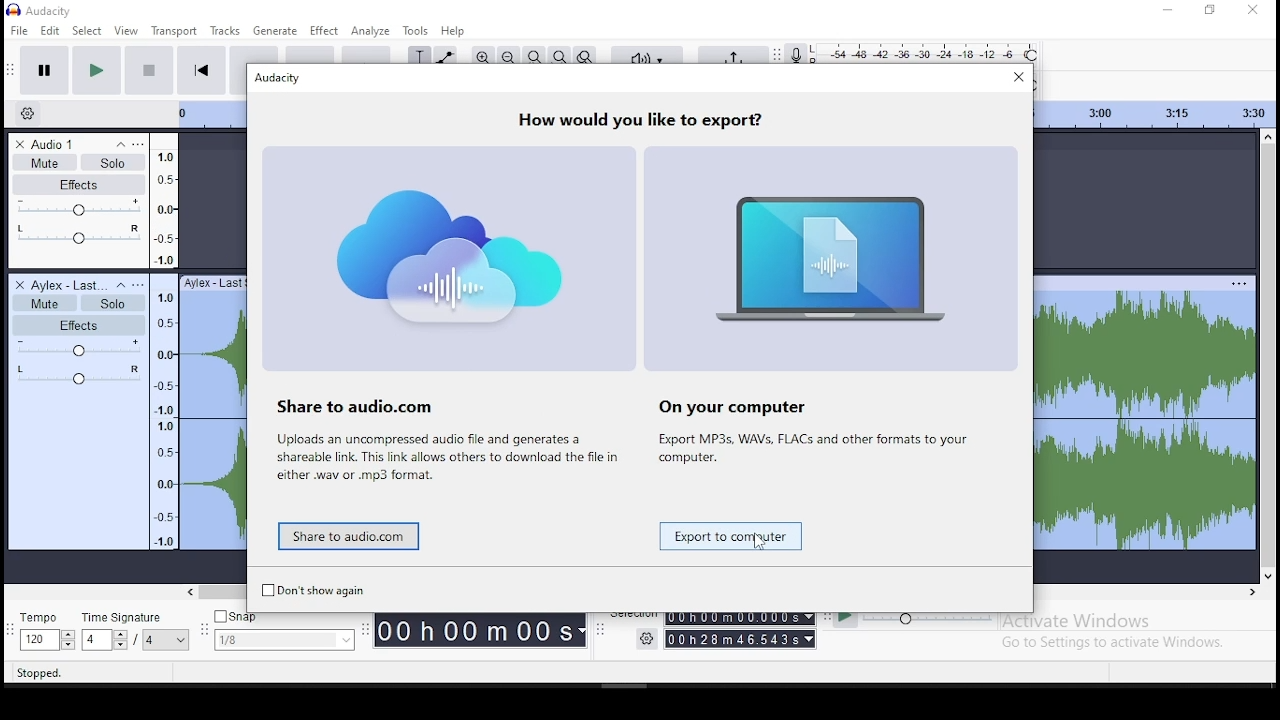 Image resolution: width=1280 pixels, height=720 pixels. I want to click on tracks, so click(226, 30).